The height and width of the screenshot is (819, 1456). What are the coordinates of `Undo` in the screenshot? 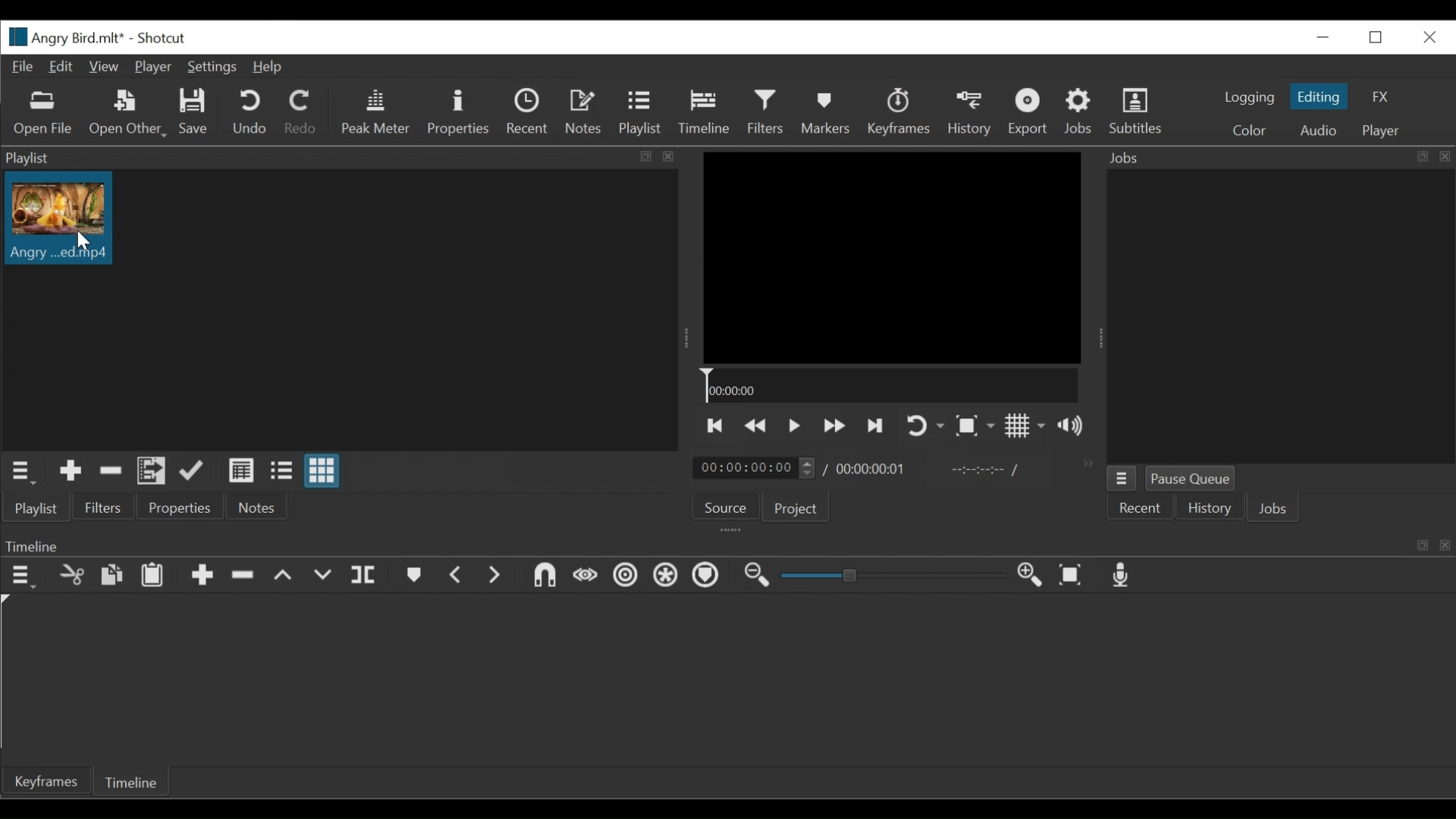 It's located at (249, 112).